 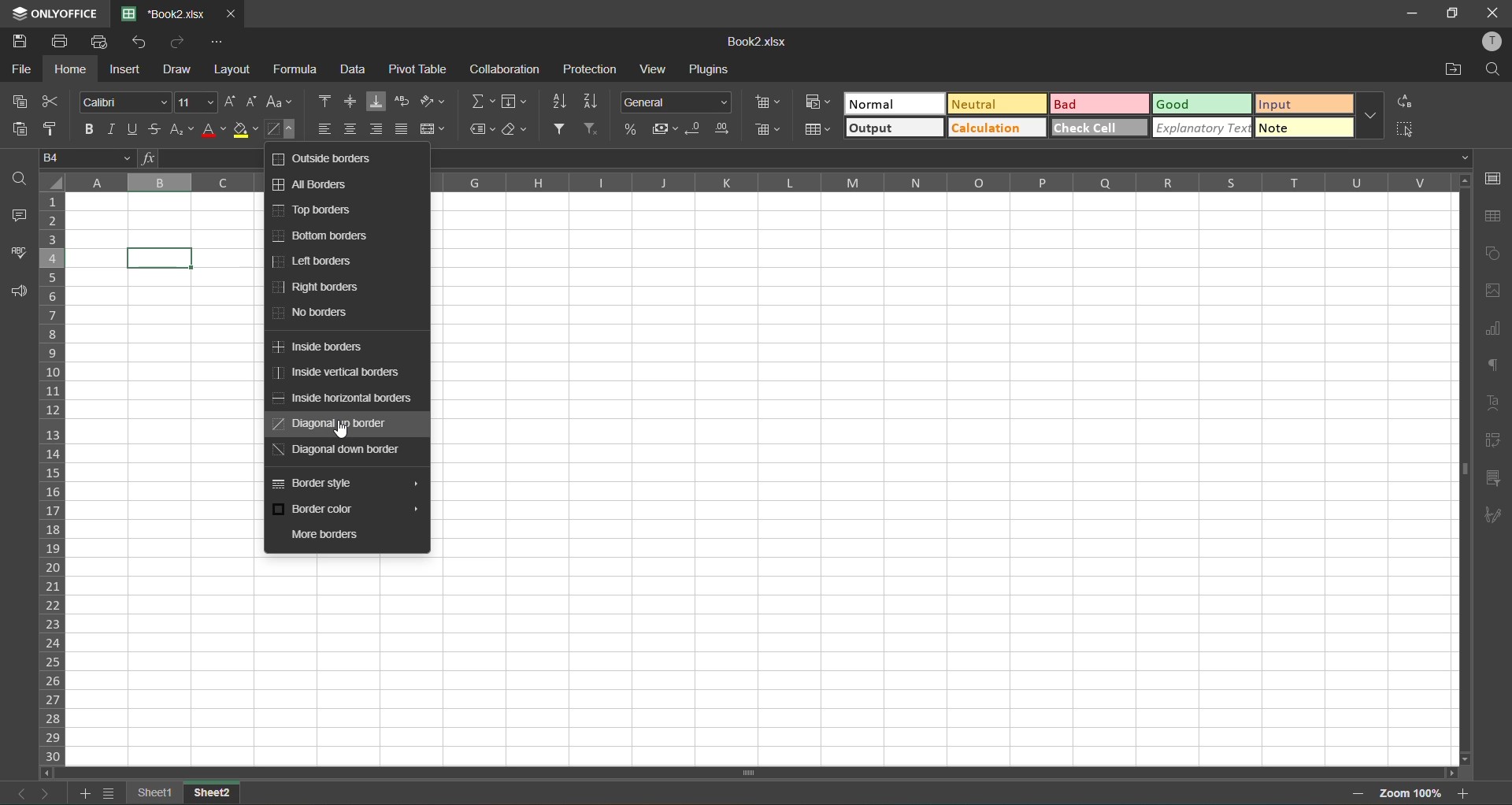 I want to click on previous, so click(x=18, y=796).